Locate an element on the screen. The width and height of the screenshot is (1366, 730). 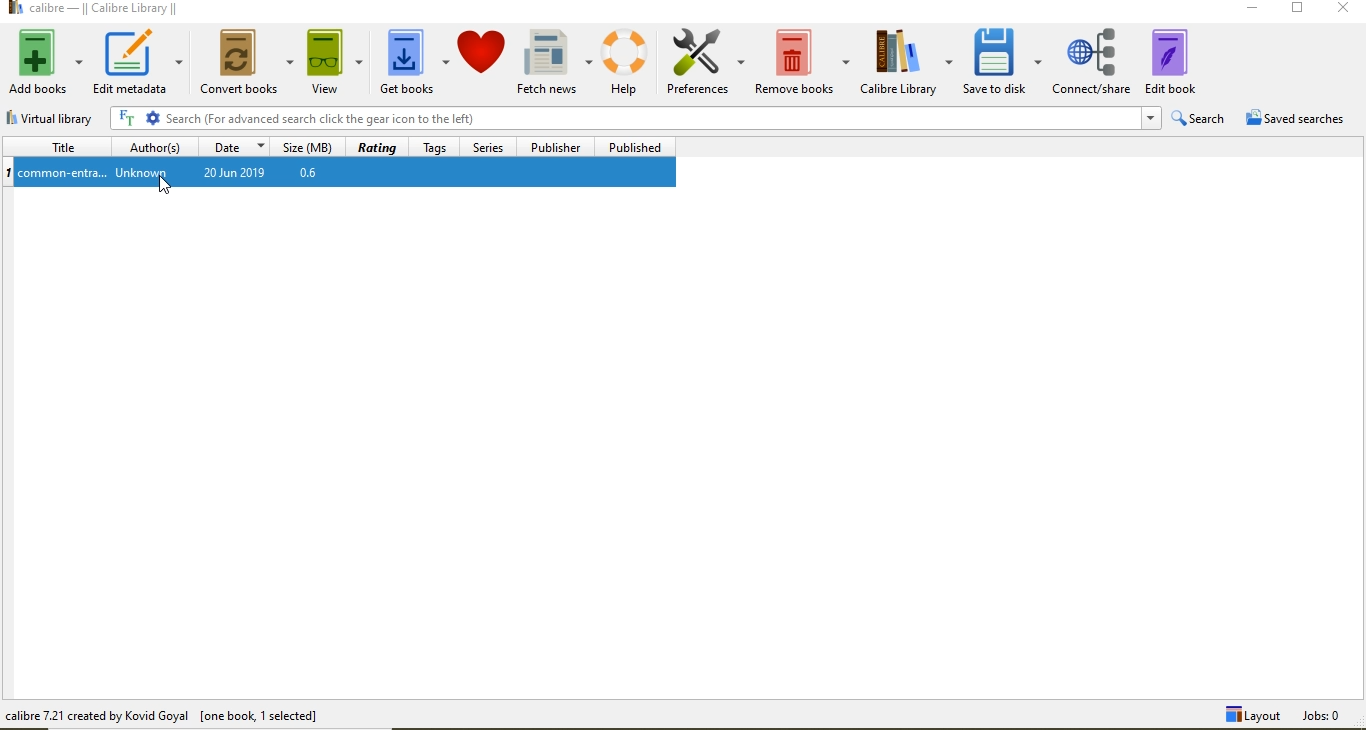
save to disk is located at coordinates (1004, 63).